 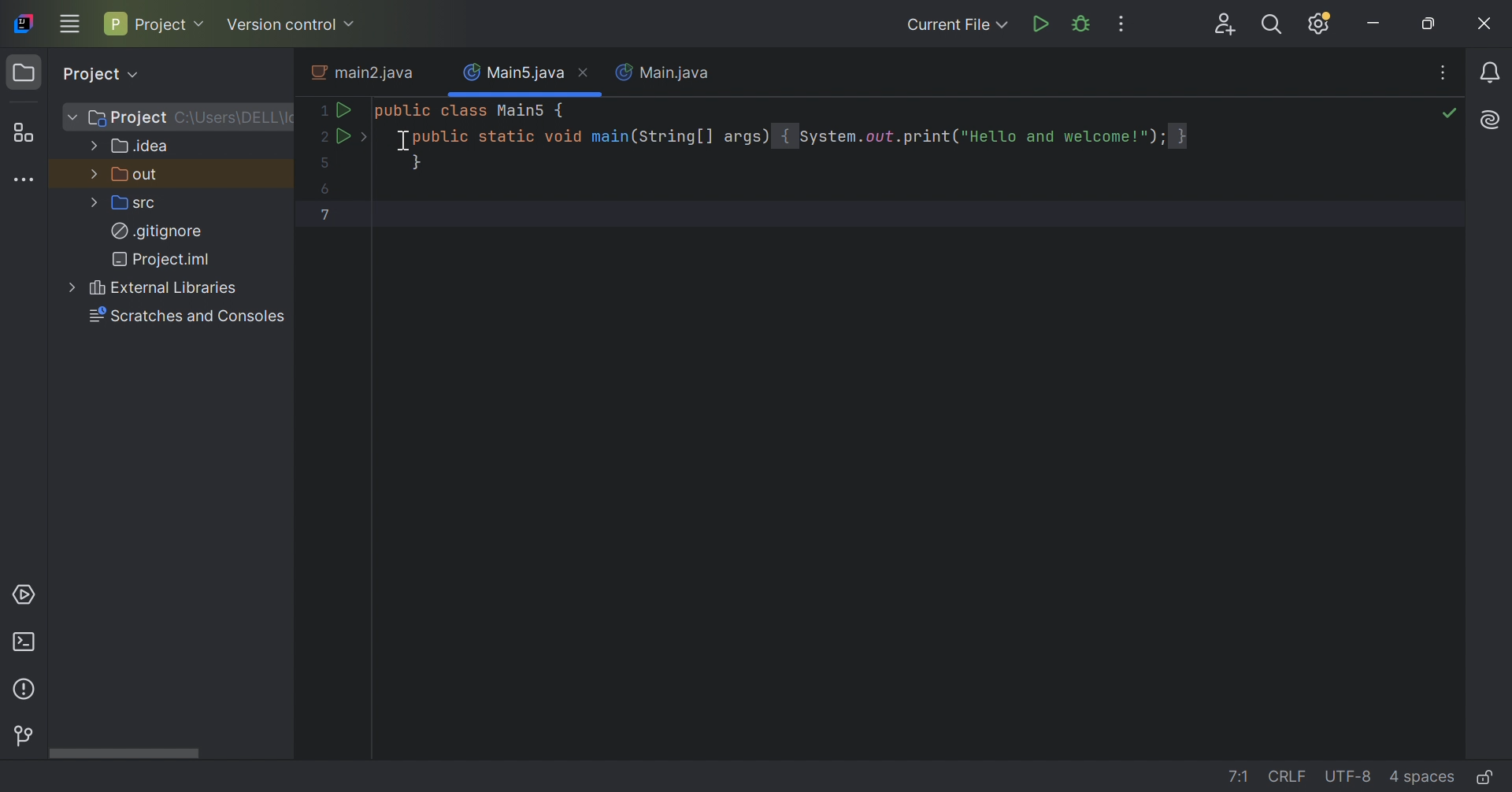 I want to click on Search everywhere, so click(x=1273, y=25).